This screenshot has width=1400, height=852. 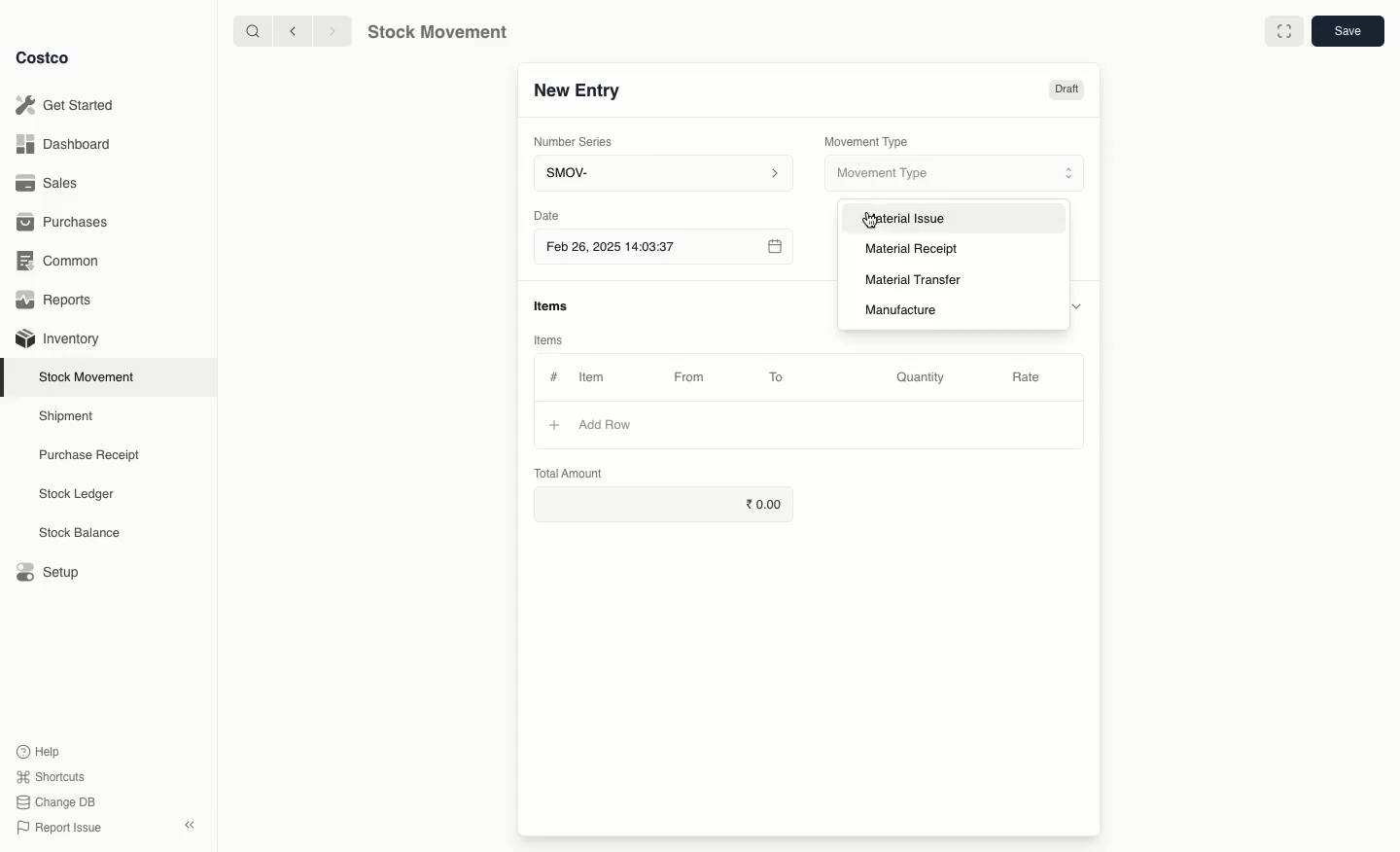 I want to click on Shipment, so click(x=67, y=417).